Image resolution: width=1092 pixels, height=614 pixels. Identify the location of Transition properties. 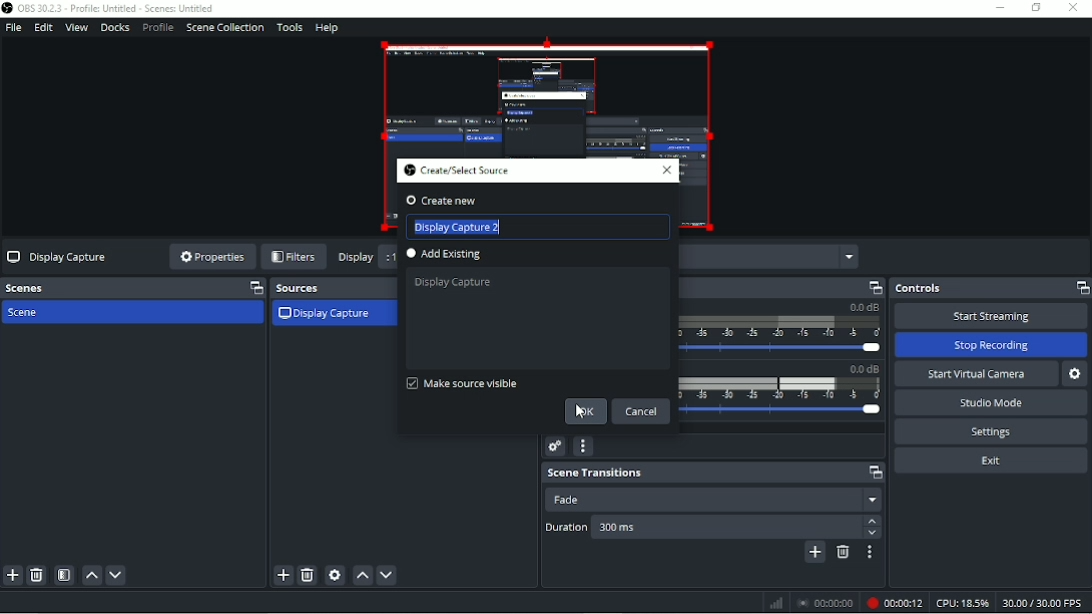
(867, 553).